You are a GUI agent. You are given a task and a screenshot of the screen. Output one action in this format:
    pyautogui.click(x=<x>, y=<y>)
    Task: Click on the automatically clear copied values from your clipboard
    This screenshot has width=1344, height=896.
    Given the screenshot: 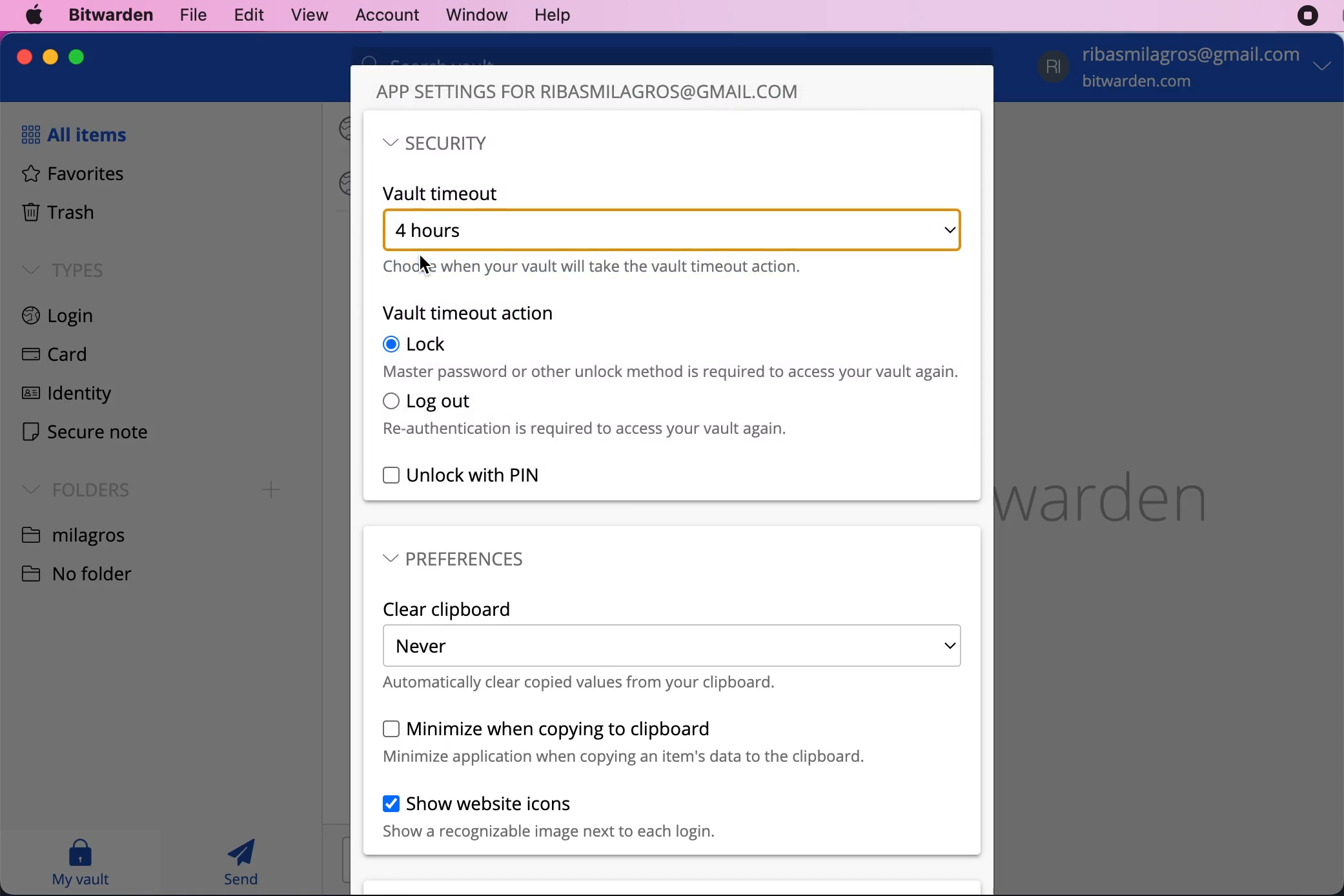 What is the action you would take?
    pyautogui.click(x=580, y=683)
    